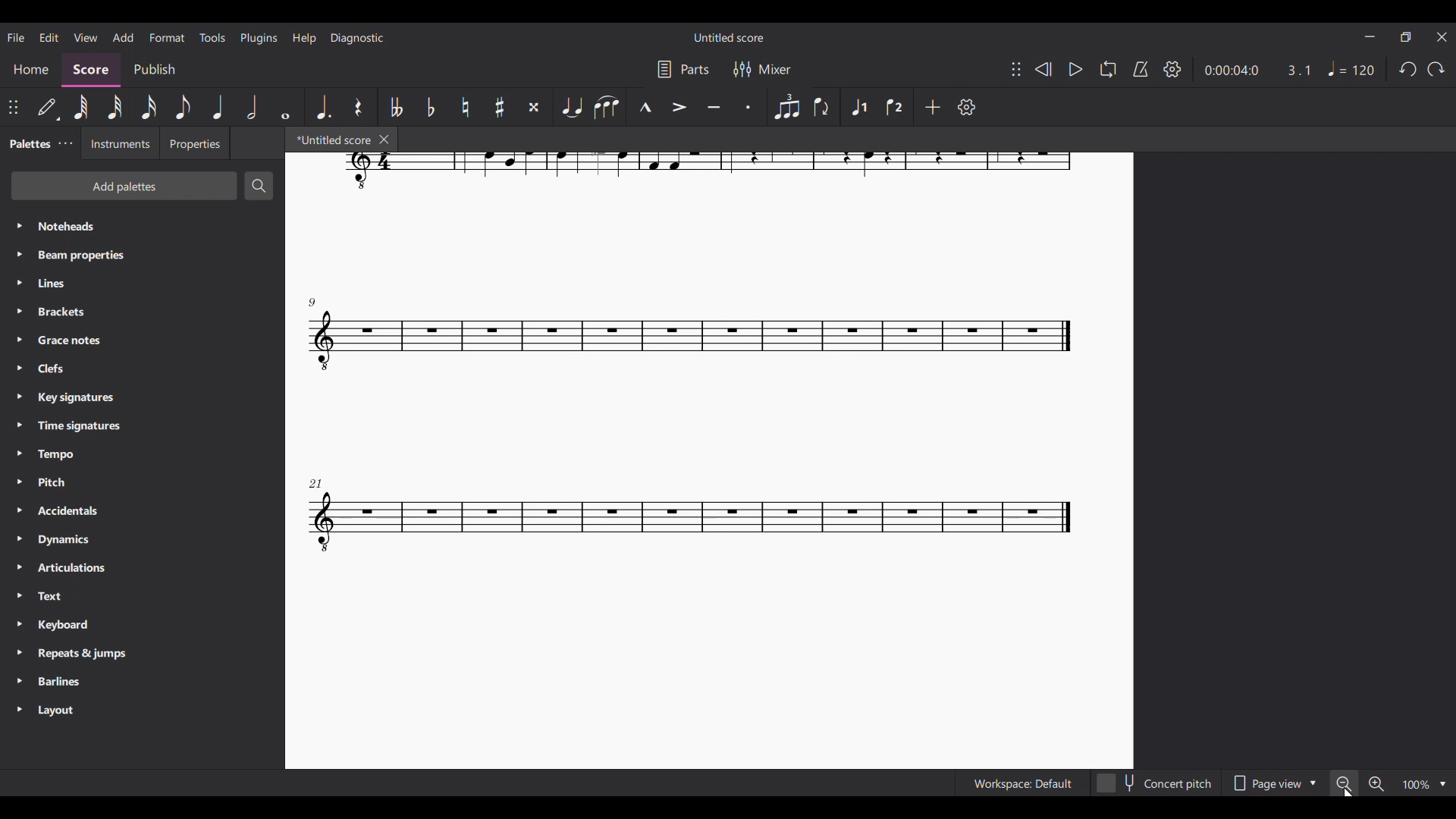 The image size is (1456, 819). What do you see at coordinates (85, 37) in the screenshot?
I see `View menu` at bounding box center [85, 37].